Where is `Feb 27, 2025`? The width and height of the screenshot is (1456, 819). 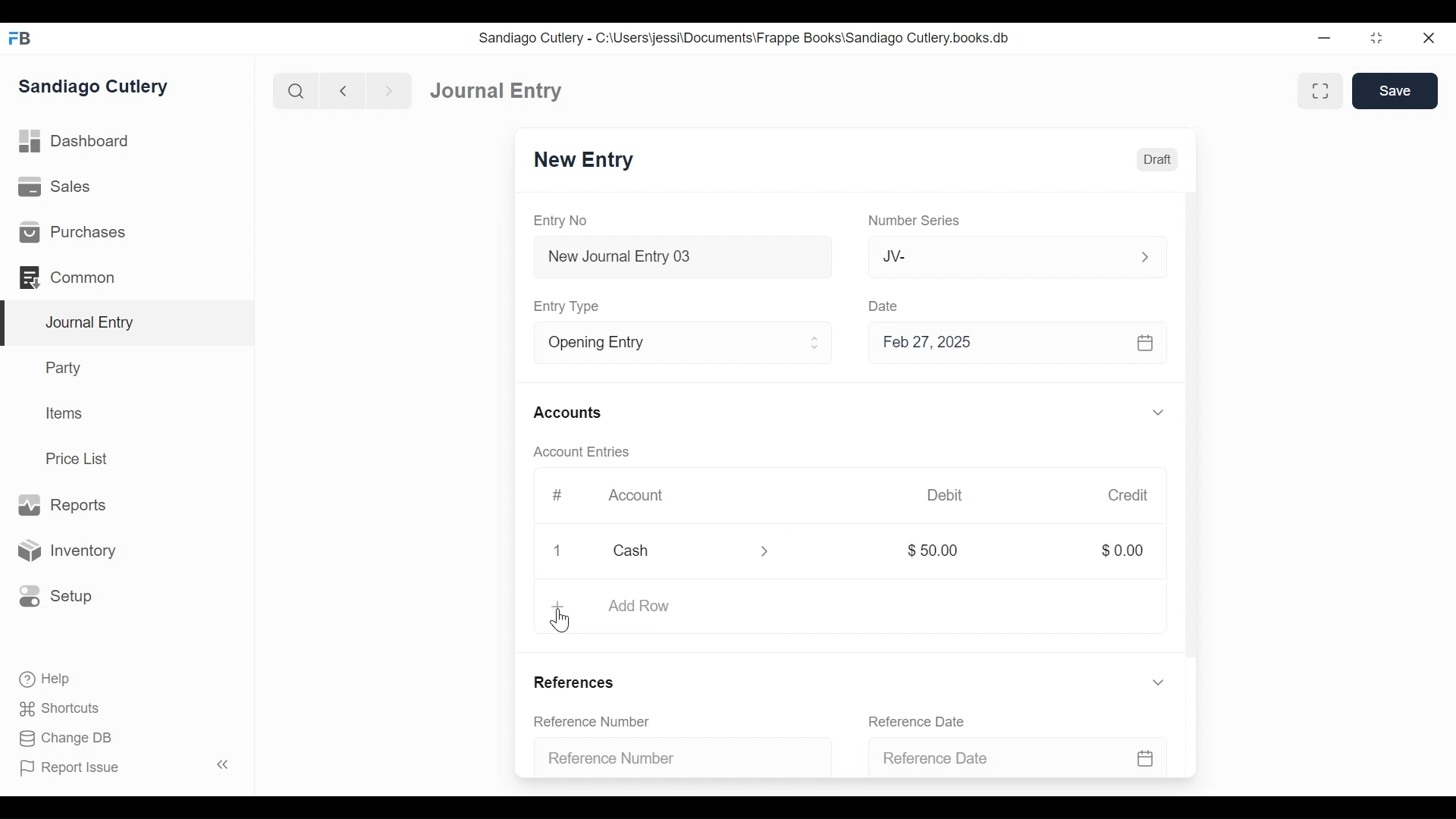 Feb 27, 2025 is located at coordinates (1015, 344).